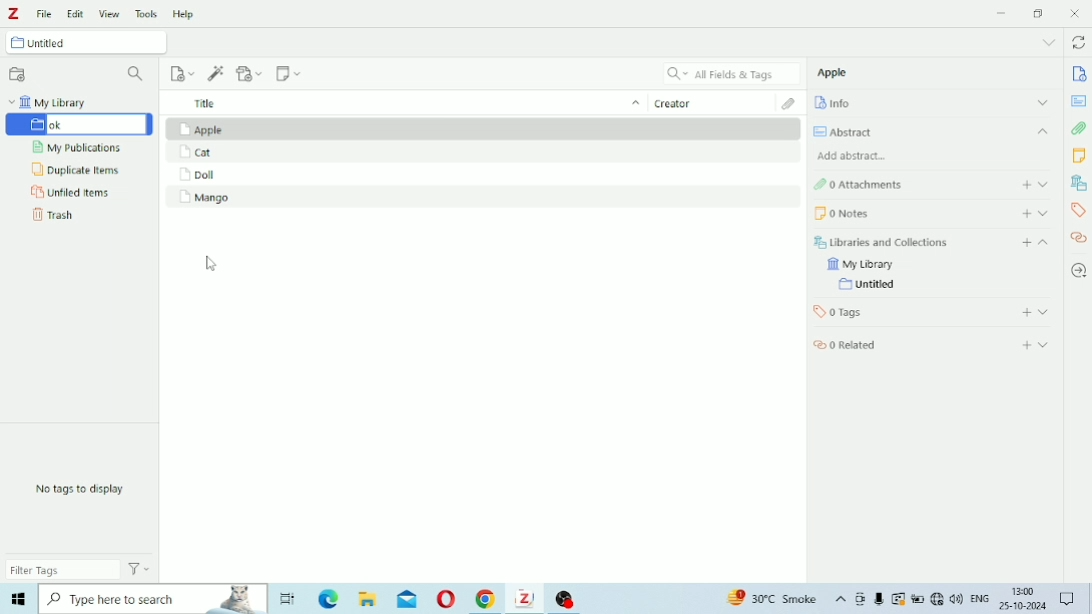  Describe the element at coordinates (853, 155) in the screenshot. I see `Add abstract` at that location.